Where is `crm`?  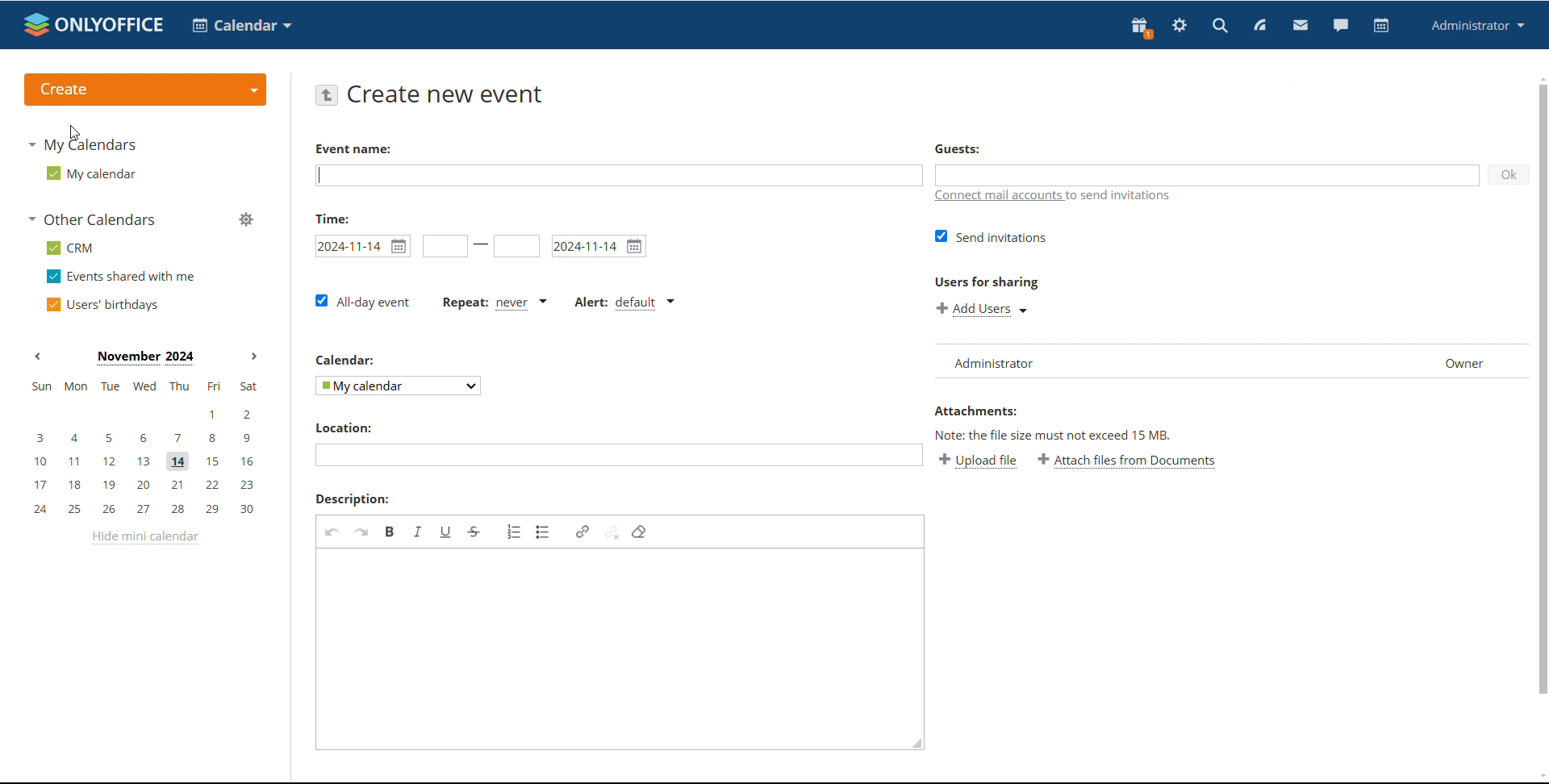
crm is located at coordinates (71, 248).